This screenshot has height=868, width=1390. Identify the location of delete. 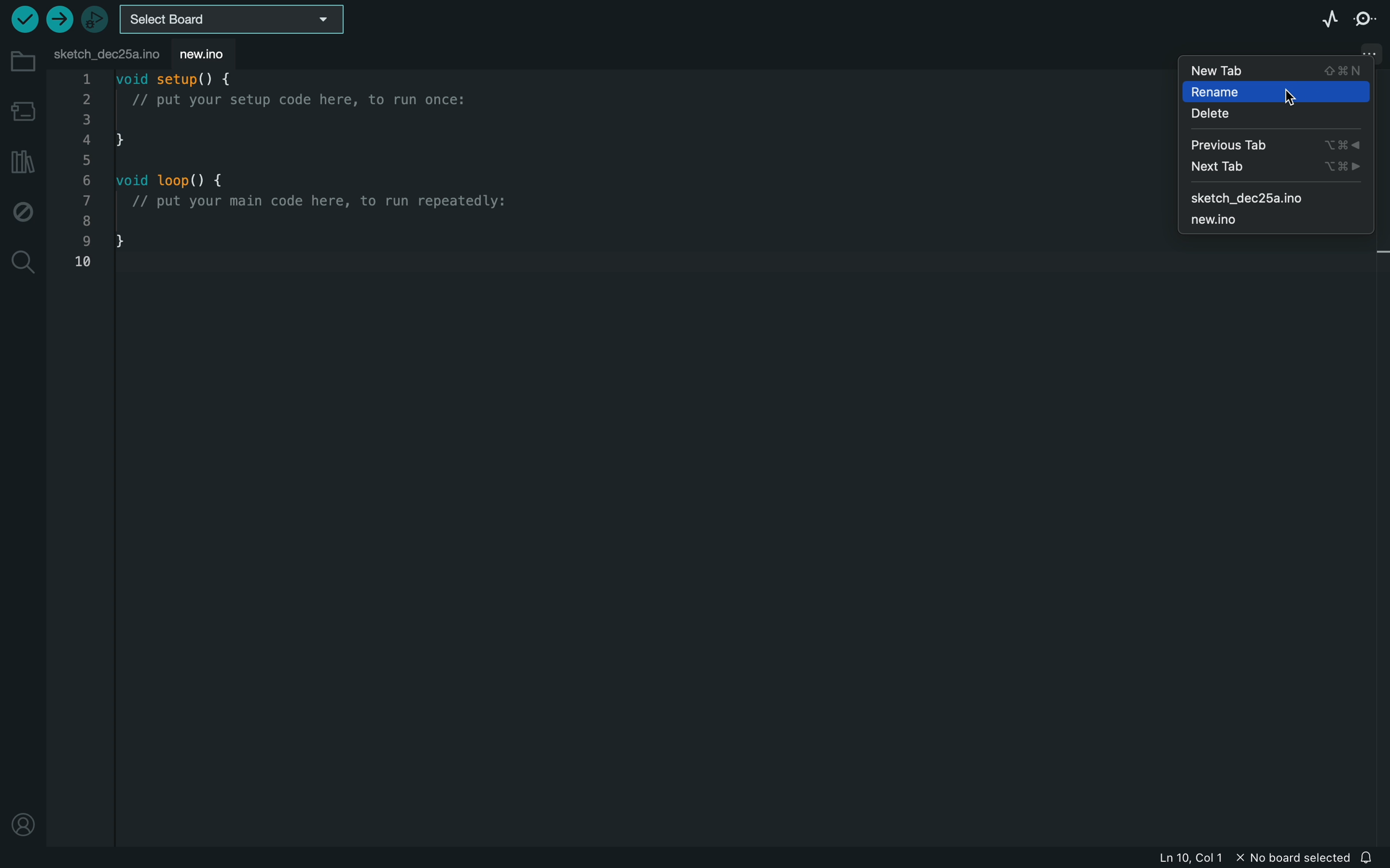
(1276, 115).